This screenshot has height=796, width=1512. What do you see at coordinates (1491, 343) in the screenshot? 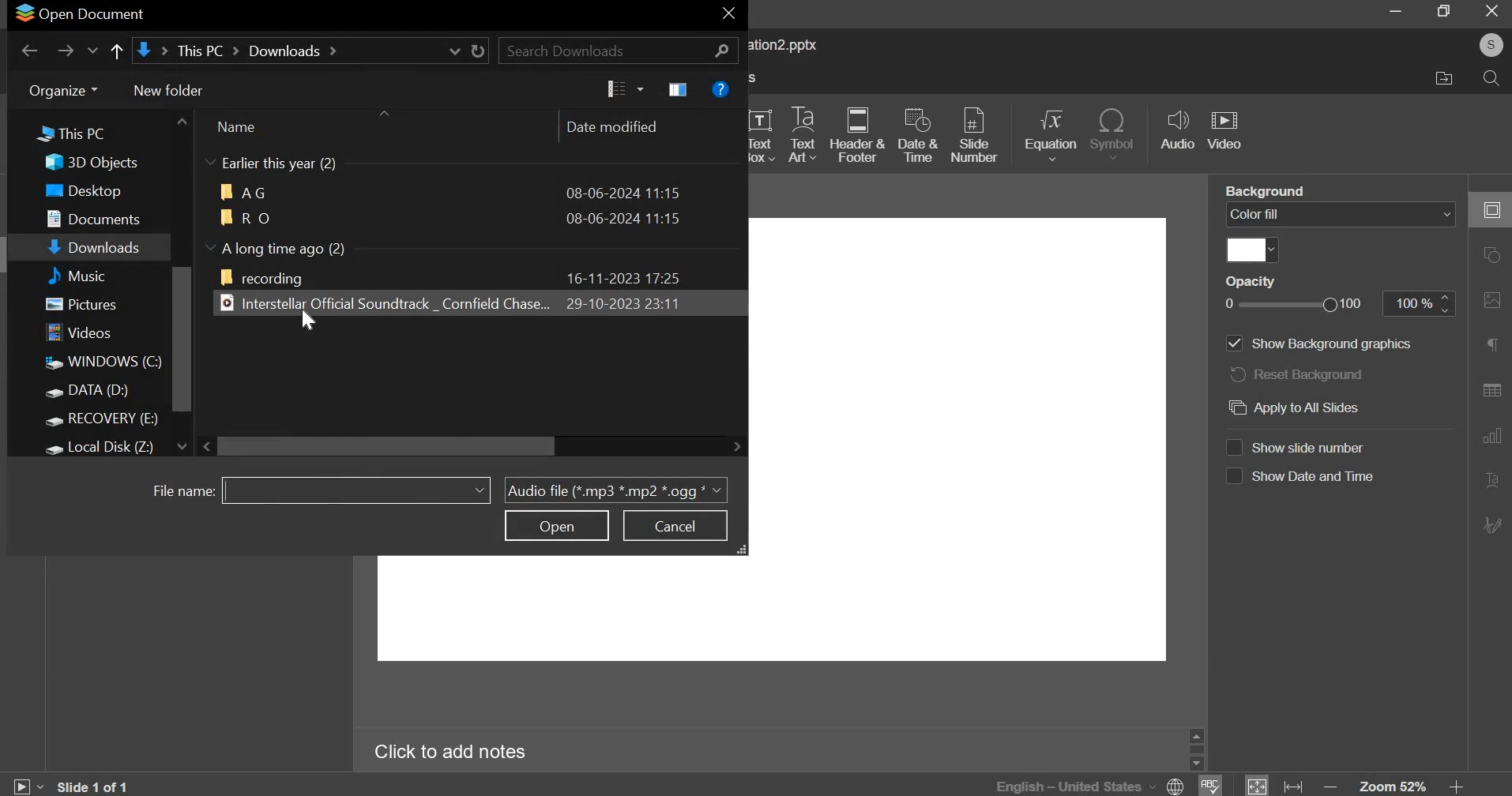
I see `paragraph settings` at bounding box center [1491, 343].